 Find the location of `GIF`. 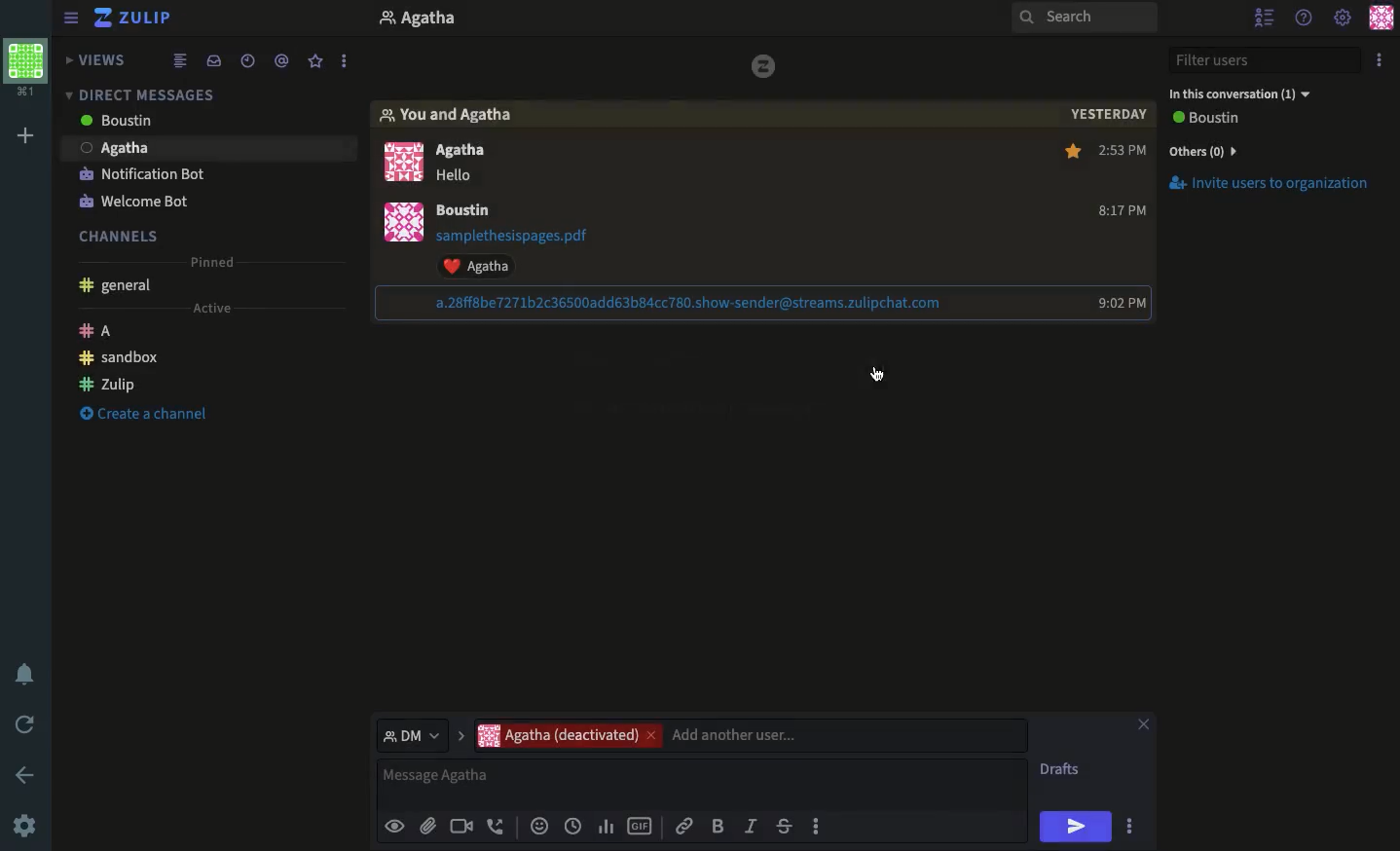

GIF is located at coordinates (640, 828).